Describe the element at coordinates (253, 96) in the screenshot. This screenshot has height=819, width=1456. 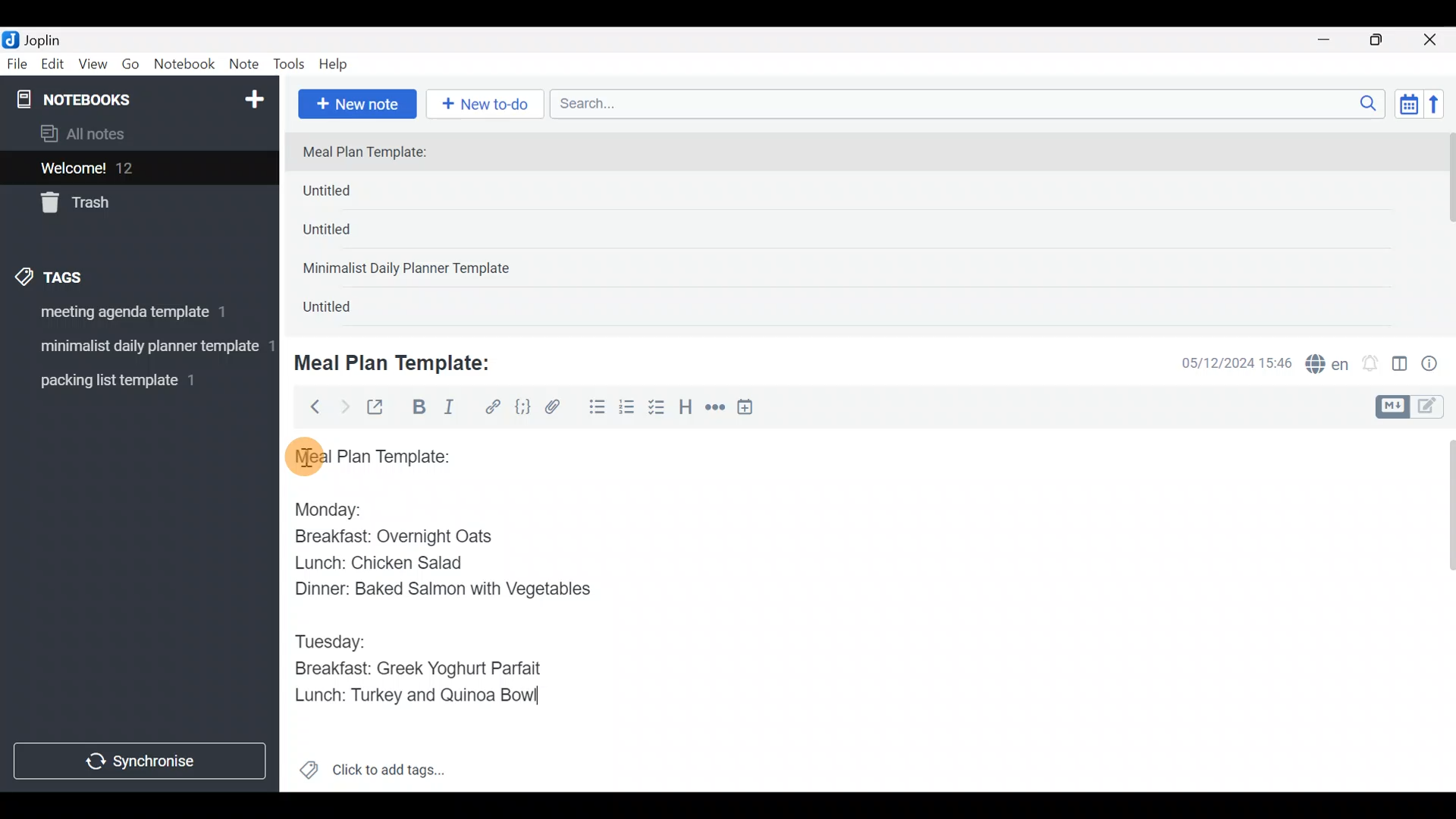
I see `New` at that location.